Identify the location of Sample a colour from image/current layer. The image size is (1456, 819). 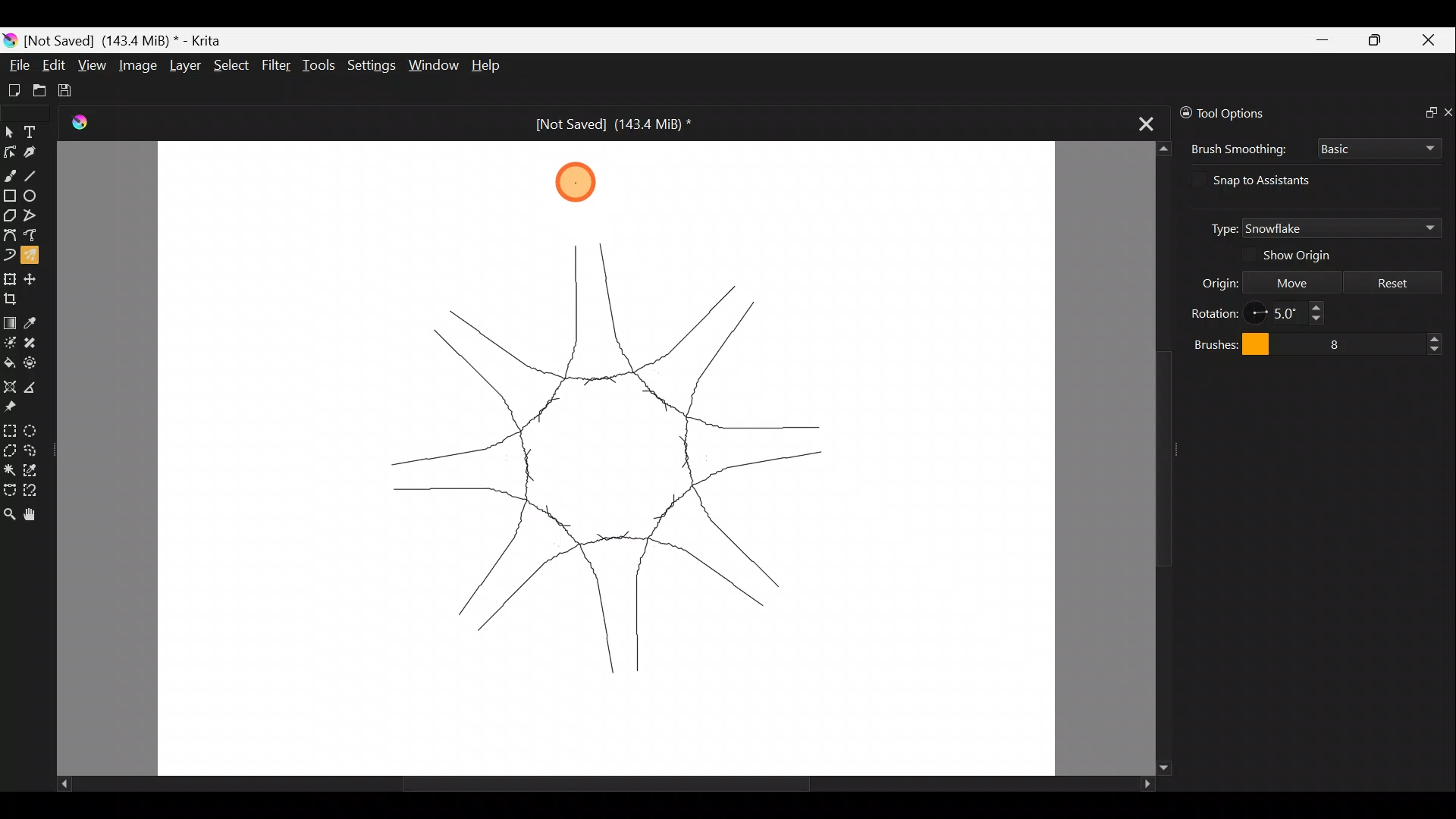
(36, 322).